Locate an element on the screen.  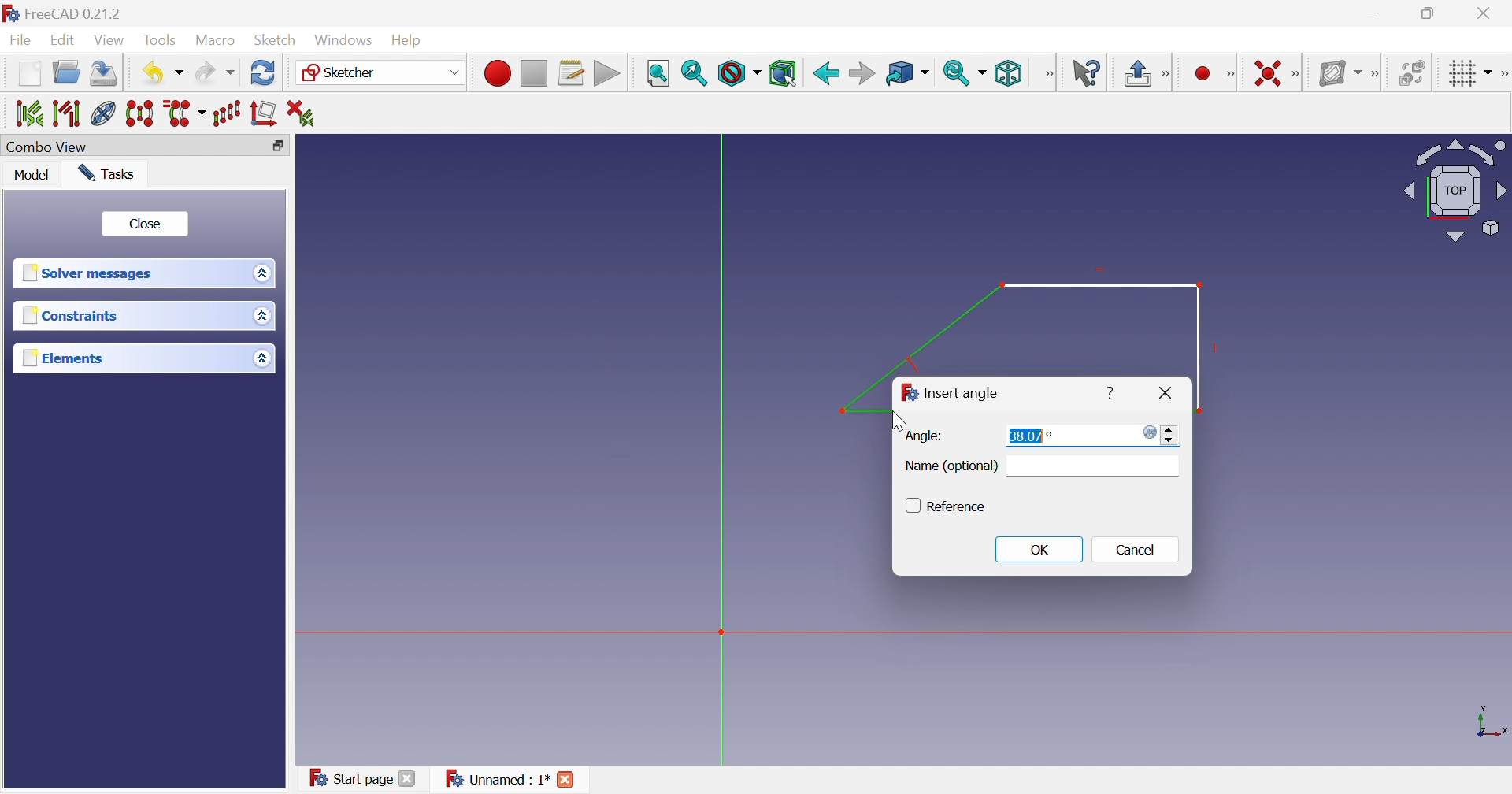
More is located at coordinates (1503, 72).